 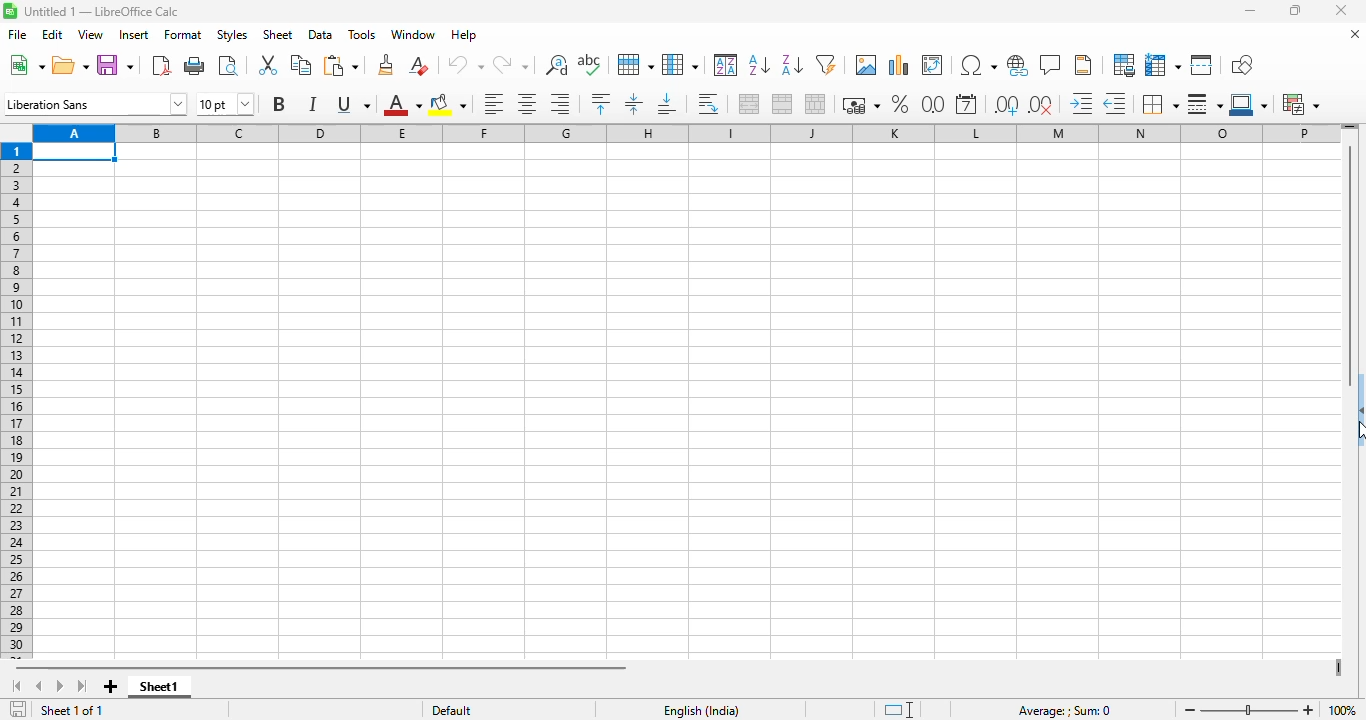 What do you see at coordinates (341, 65) in the screenshot?
I see `paste` at bounding box center [341, 65].